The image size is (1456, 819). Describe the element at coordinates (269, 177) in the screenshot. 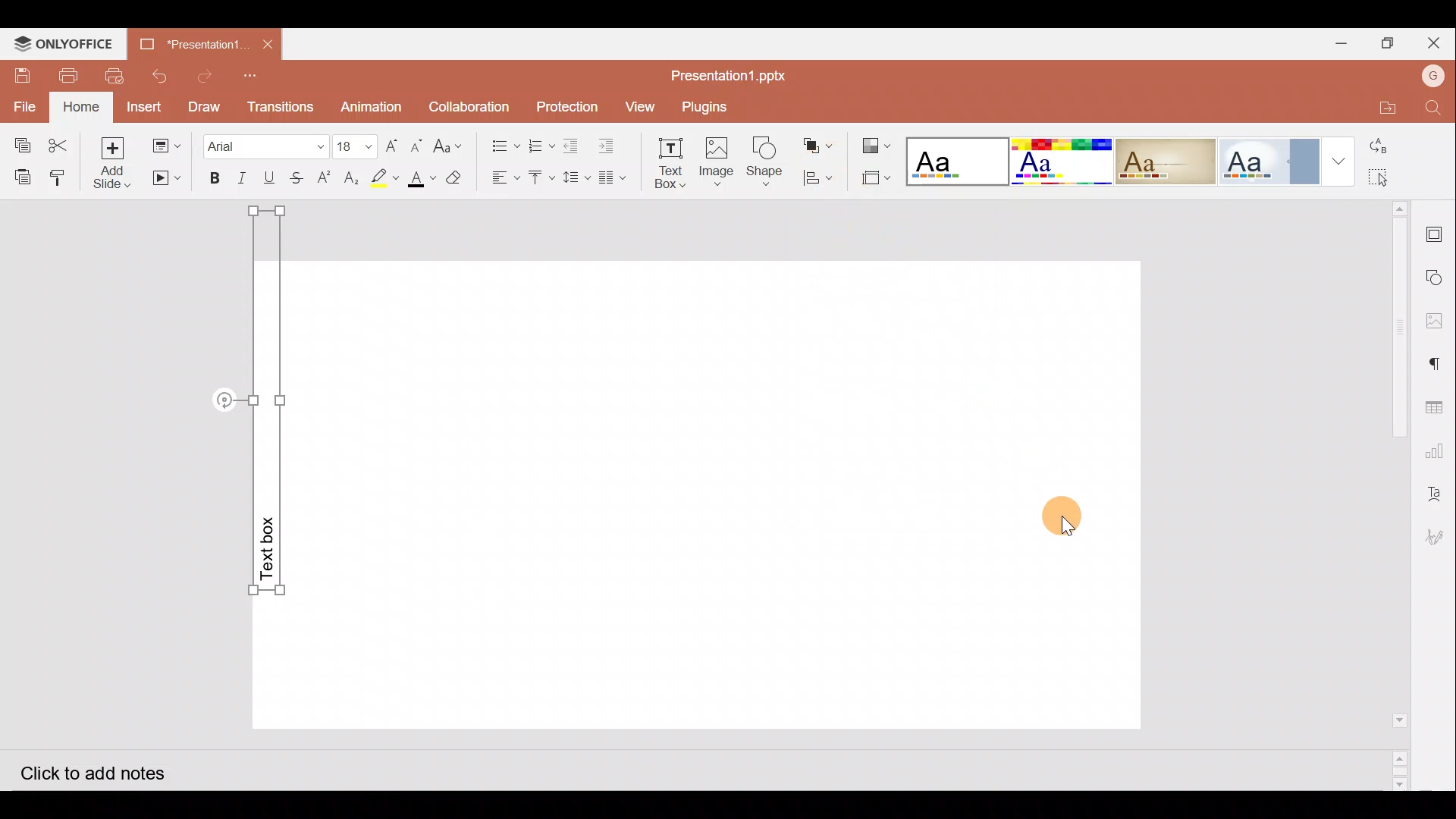

I see `Underline` at that location.